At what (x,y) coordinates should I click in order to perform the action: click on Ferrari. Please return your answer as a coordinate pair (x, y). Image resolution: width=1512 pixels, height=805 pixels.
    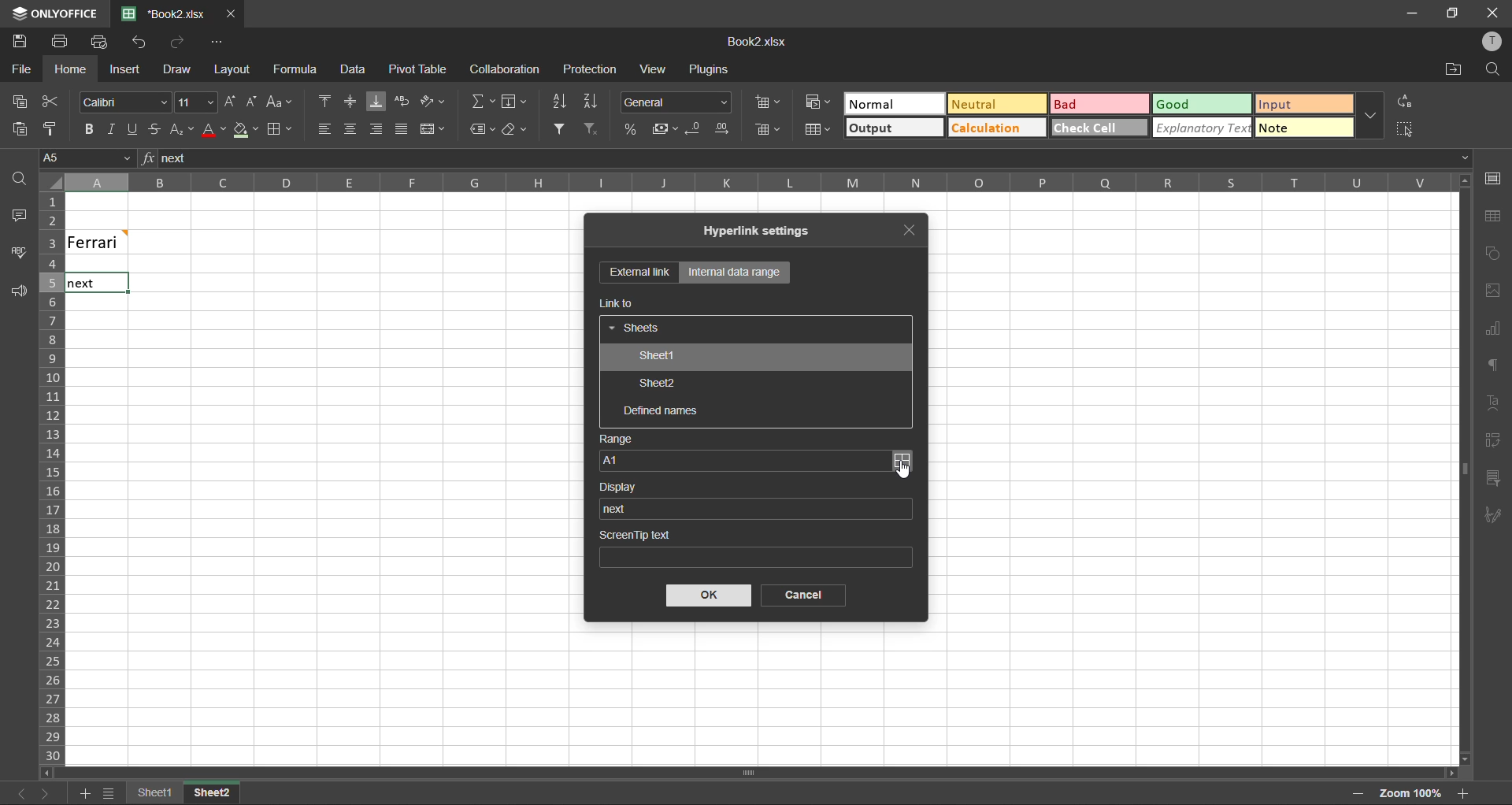
    Looking at the image, I should click on (120, 241).